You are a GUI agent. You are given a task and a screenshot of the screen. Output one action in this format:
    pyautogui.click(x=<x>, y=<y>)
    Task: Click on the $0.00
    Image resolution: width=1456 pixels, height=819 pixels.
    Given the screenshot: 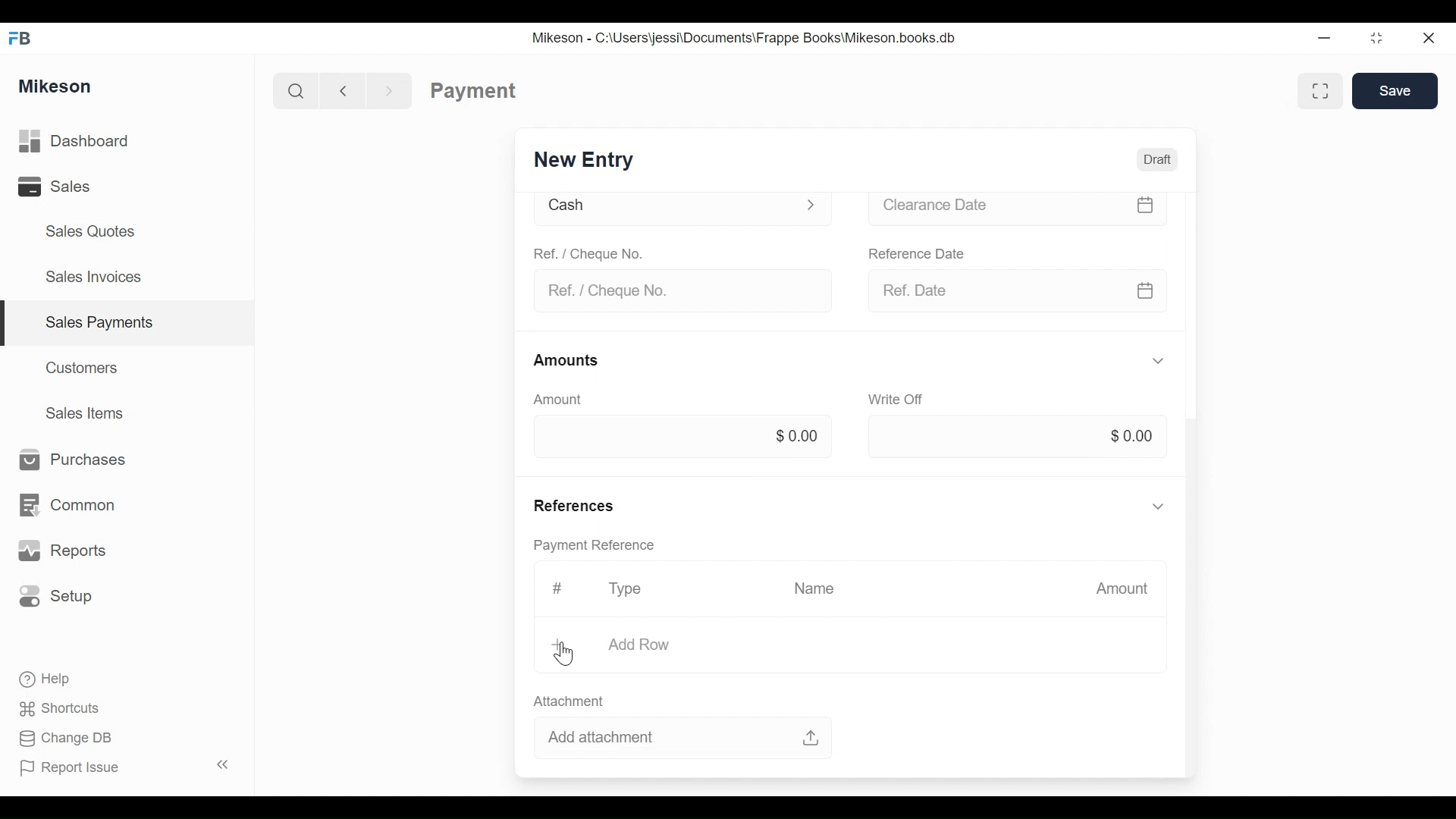 What is the action you would take?
    pyautogui.click(x=1136, y=435)
    